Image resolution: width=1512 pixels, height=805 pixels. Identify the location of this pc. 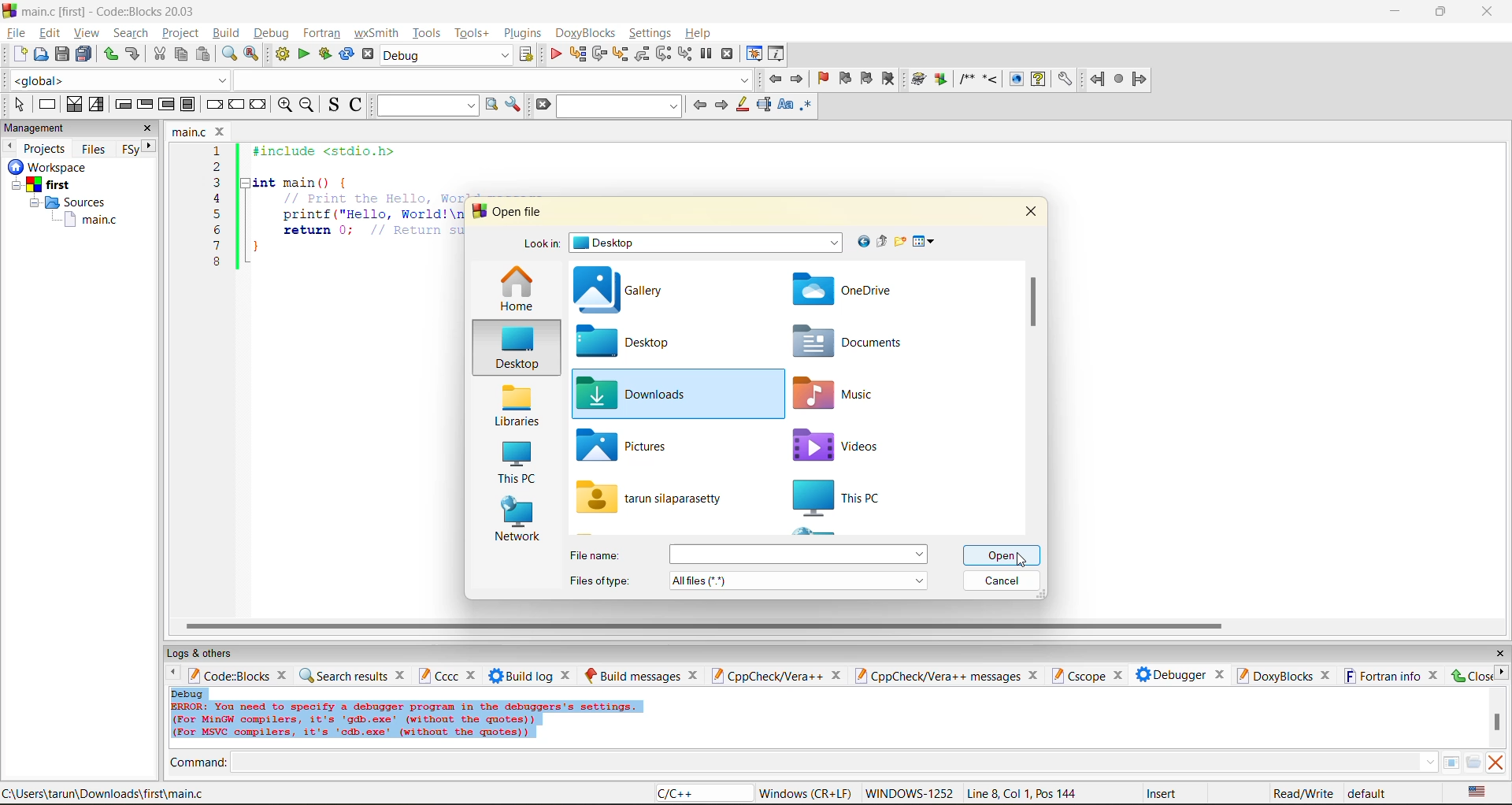
(515, 465).